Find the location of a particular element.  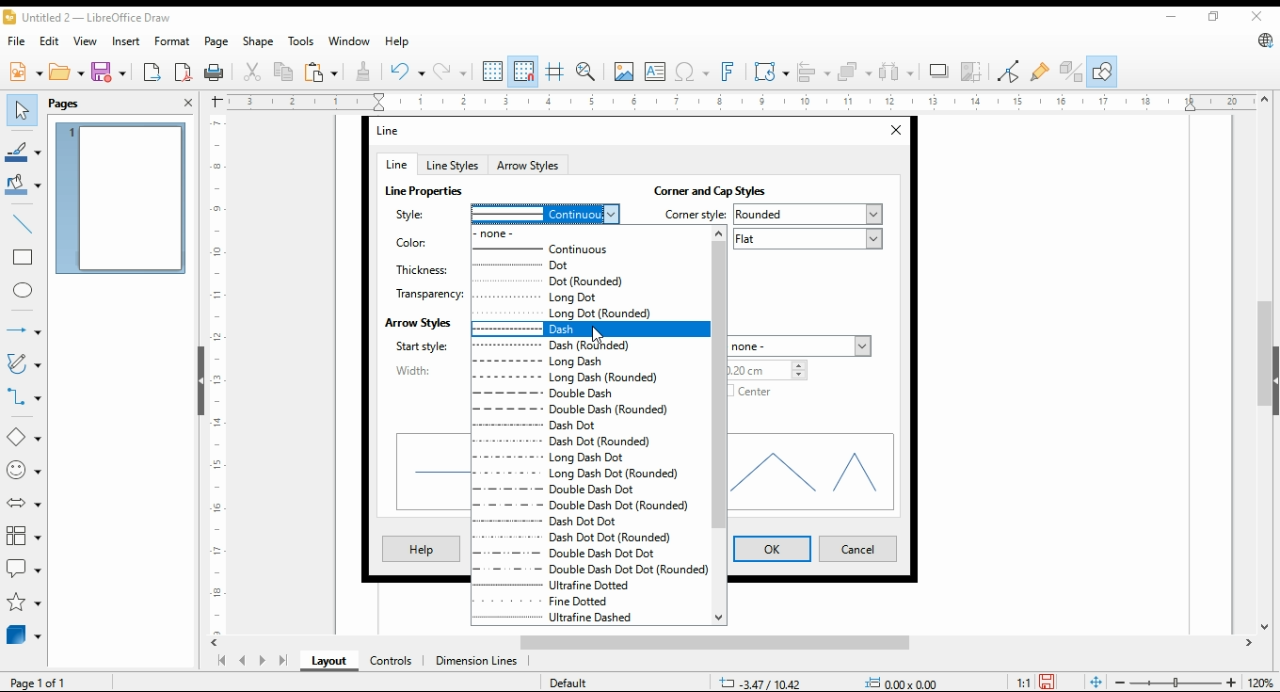

3D objects is located at coordinates (25, 634).